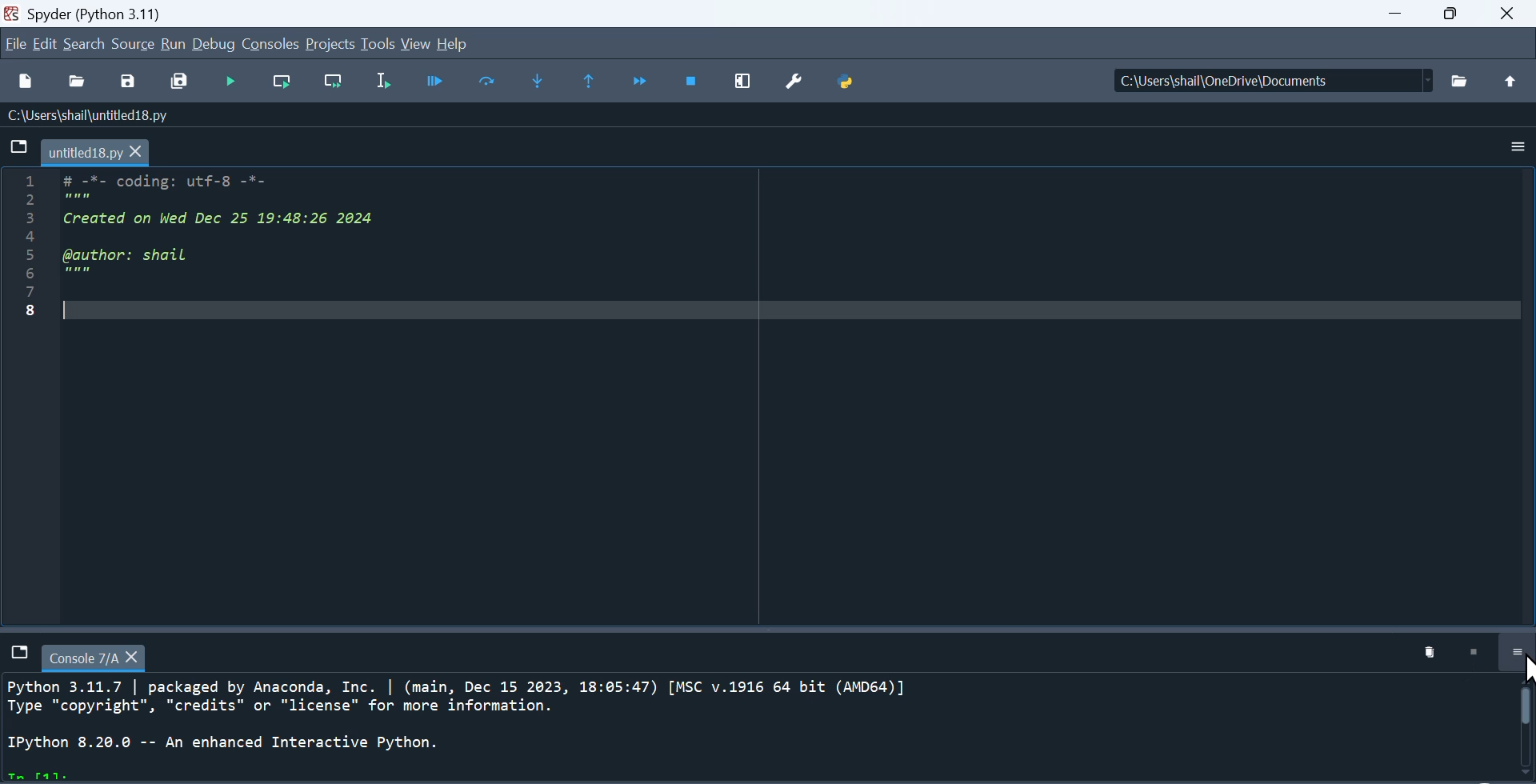  Describe the element at coordinates (18, 654) in the screenshot. I see `tab options` at that location.